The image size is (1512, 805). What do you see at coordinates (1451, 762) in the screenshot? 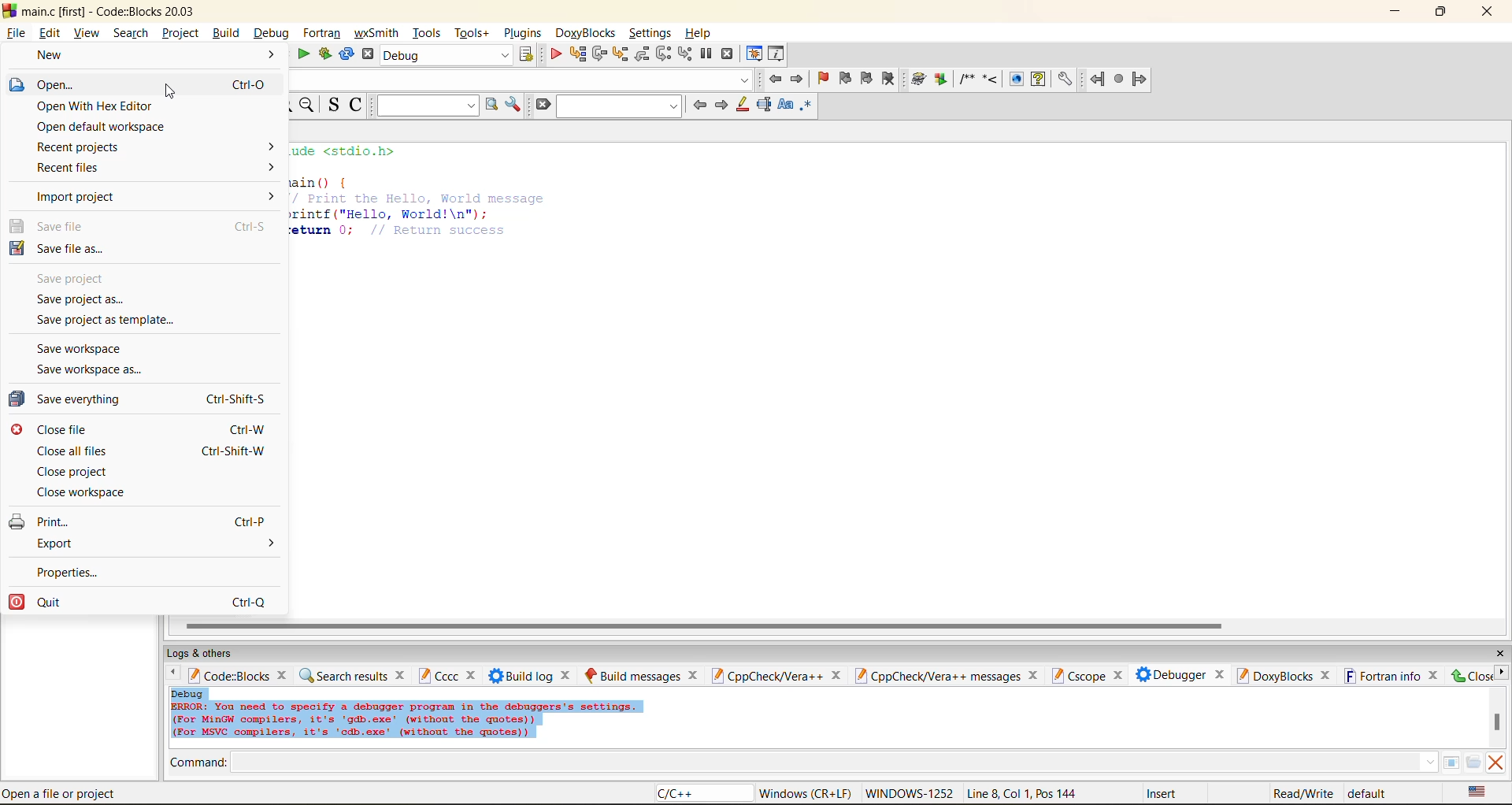
I see `tables` at bounding box center [1451, 762].